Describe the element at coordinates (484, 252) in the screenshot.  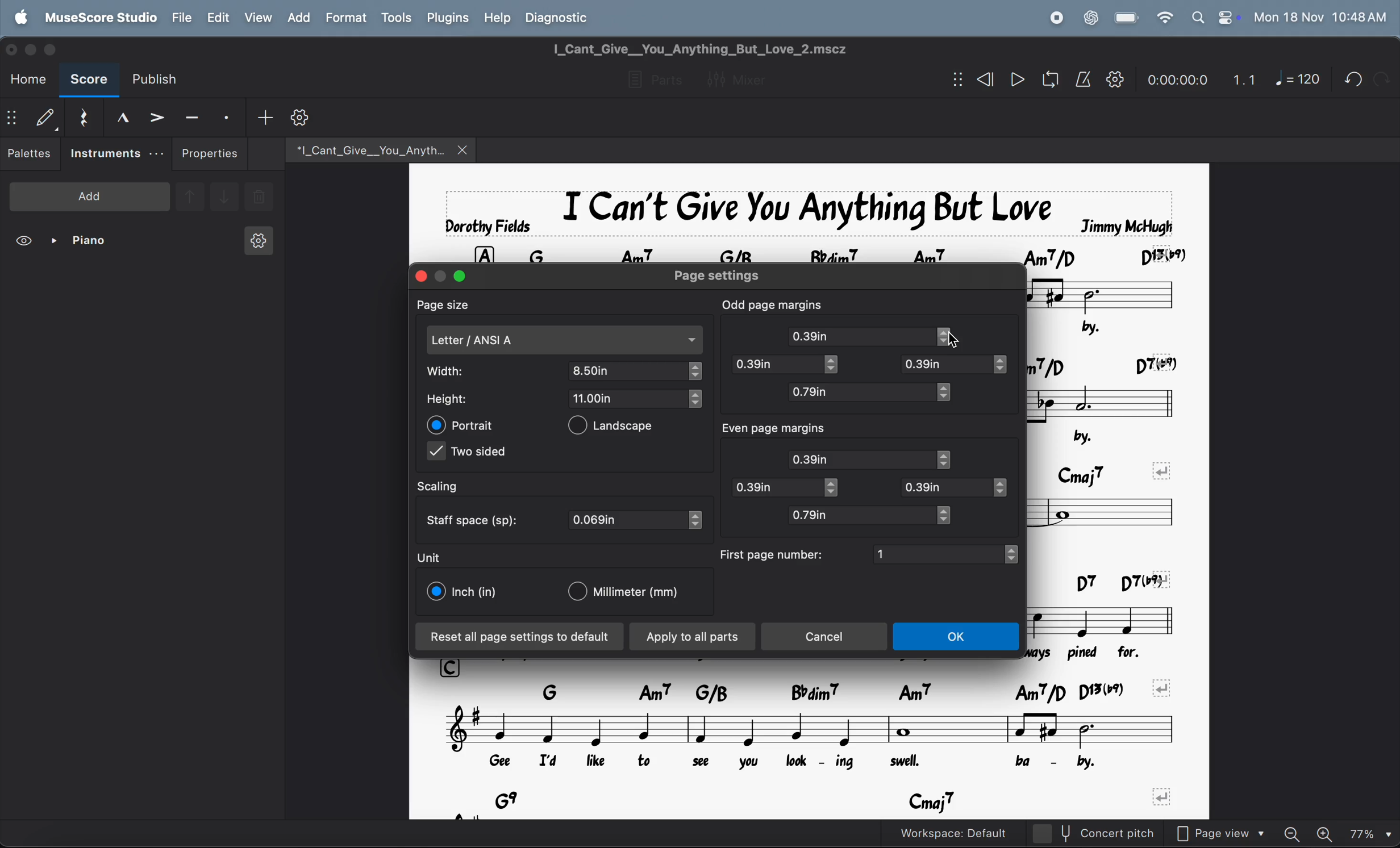
I see `rows` at that location.